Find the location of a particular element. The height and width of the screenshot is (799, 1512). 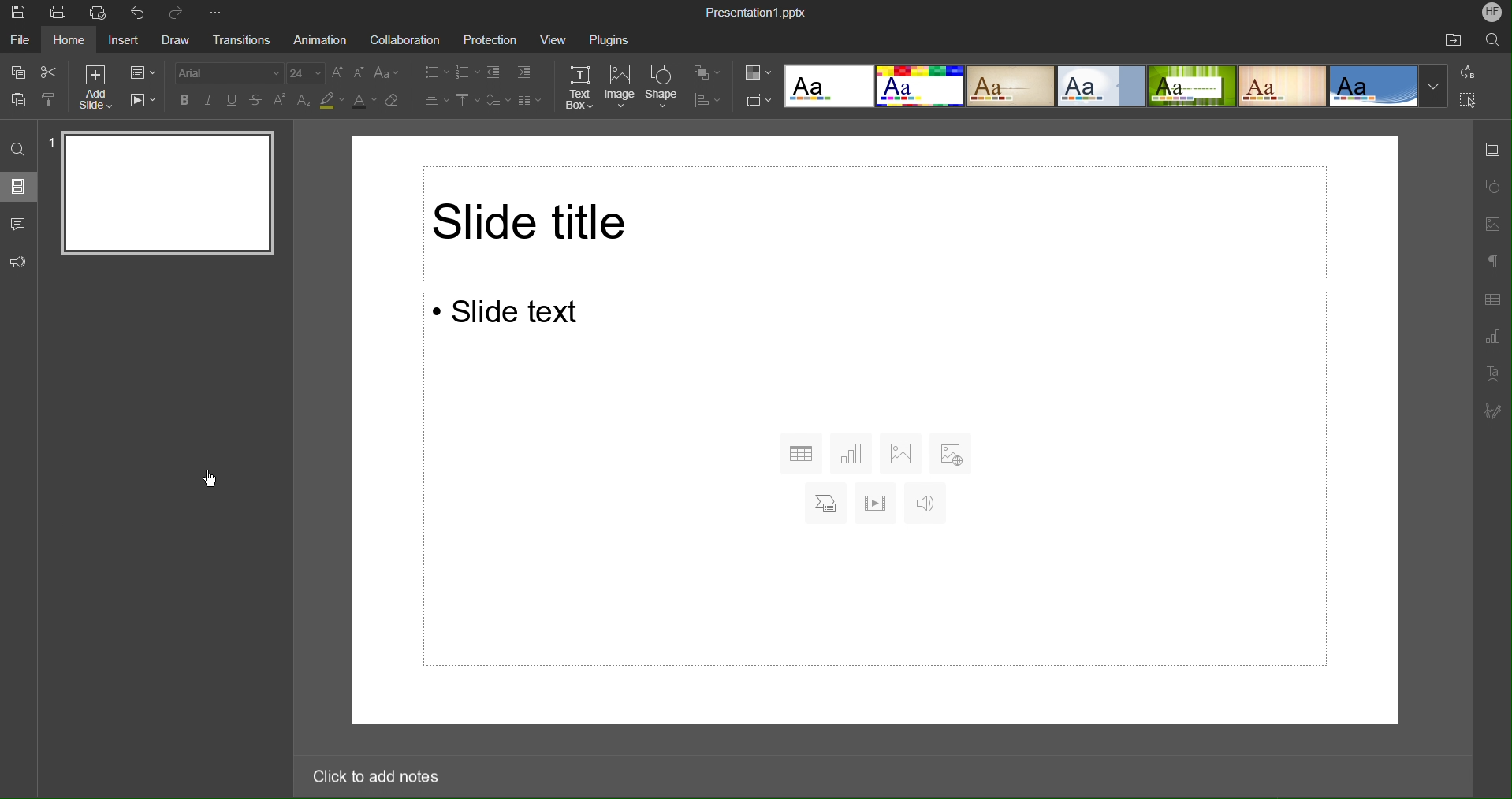

Slide Settings is located at coordinates (1494, 149).